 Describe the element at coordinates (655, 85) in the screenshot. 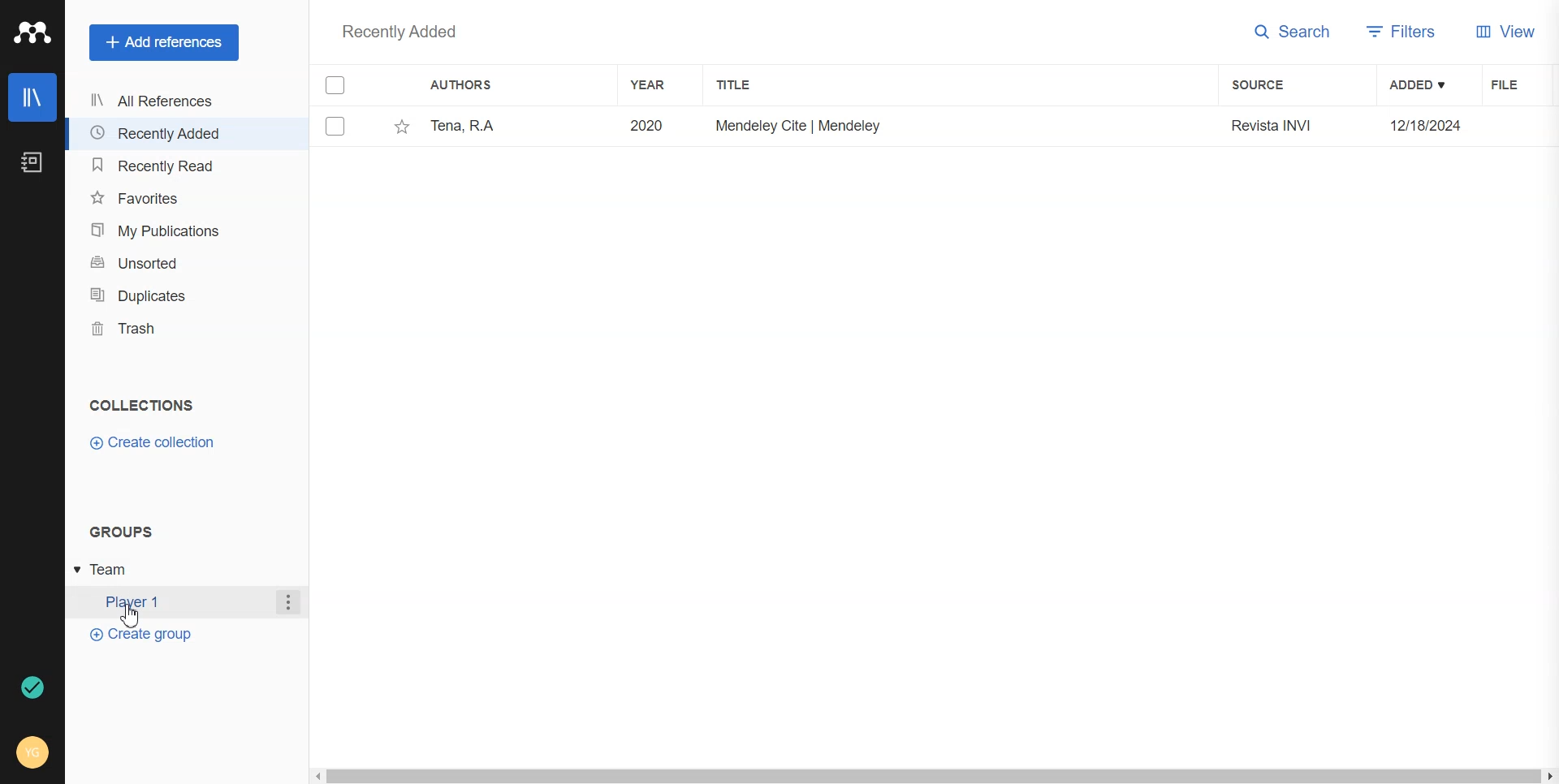

I see `Year` at that location.